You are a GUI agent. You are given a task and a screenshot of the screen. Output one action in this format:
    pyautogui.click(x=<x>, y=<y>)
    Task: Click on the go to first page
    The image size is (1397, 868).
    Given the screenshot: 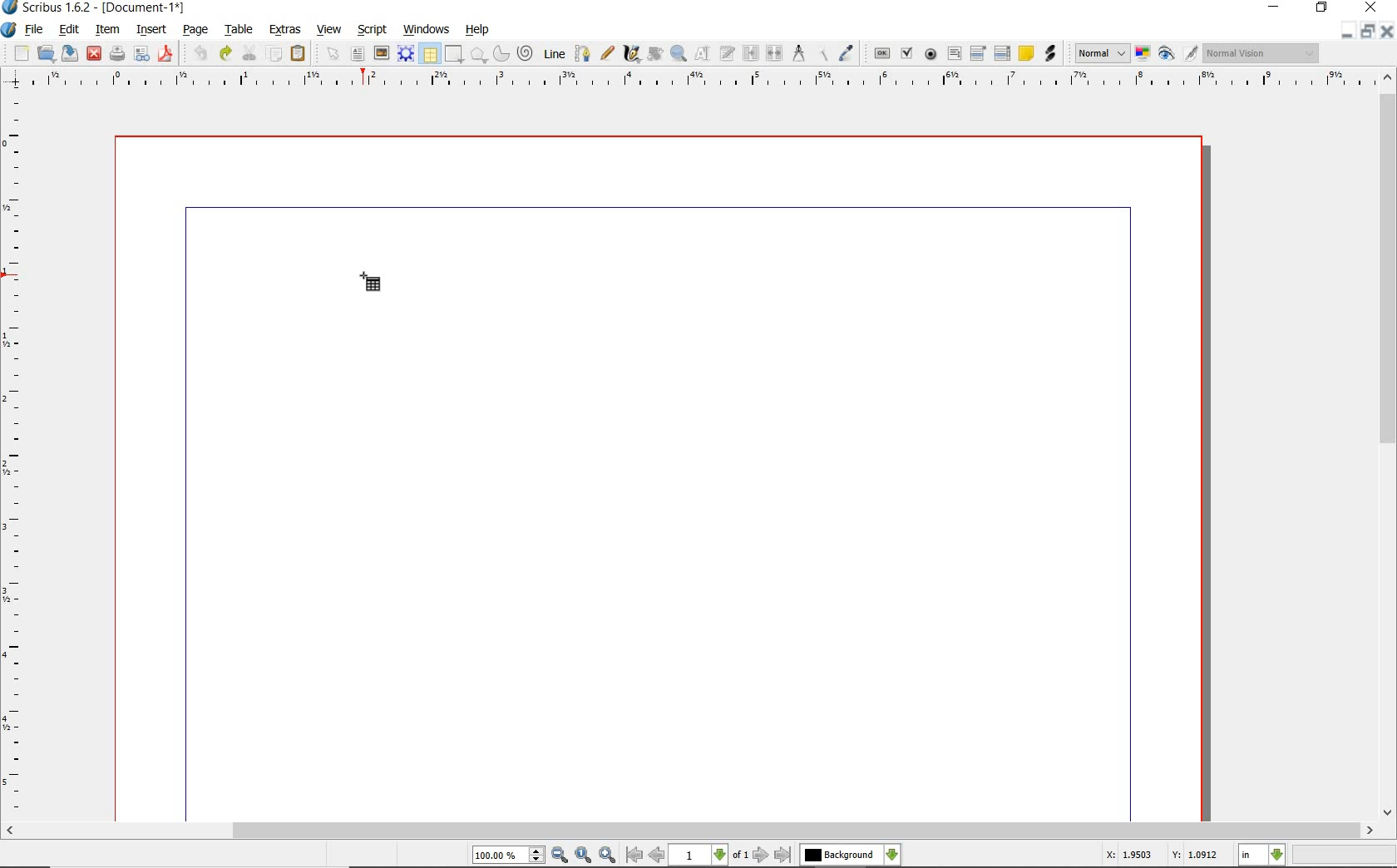 What is the action you would take?
    pyautogui.click(x=634, y=856)
    